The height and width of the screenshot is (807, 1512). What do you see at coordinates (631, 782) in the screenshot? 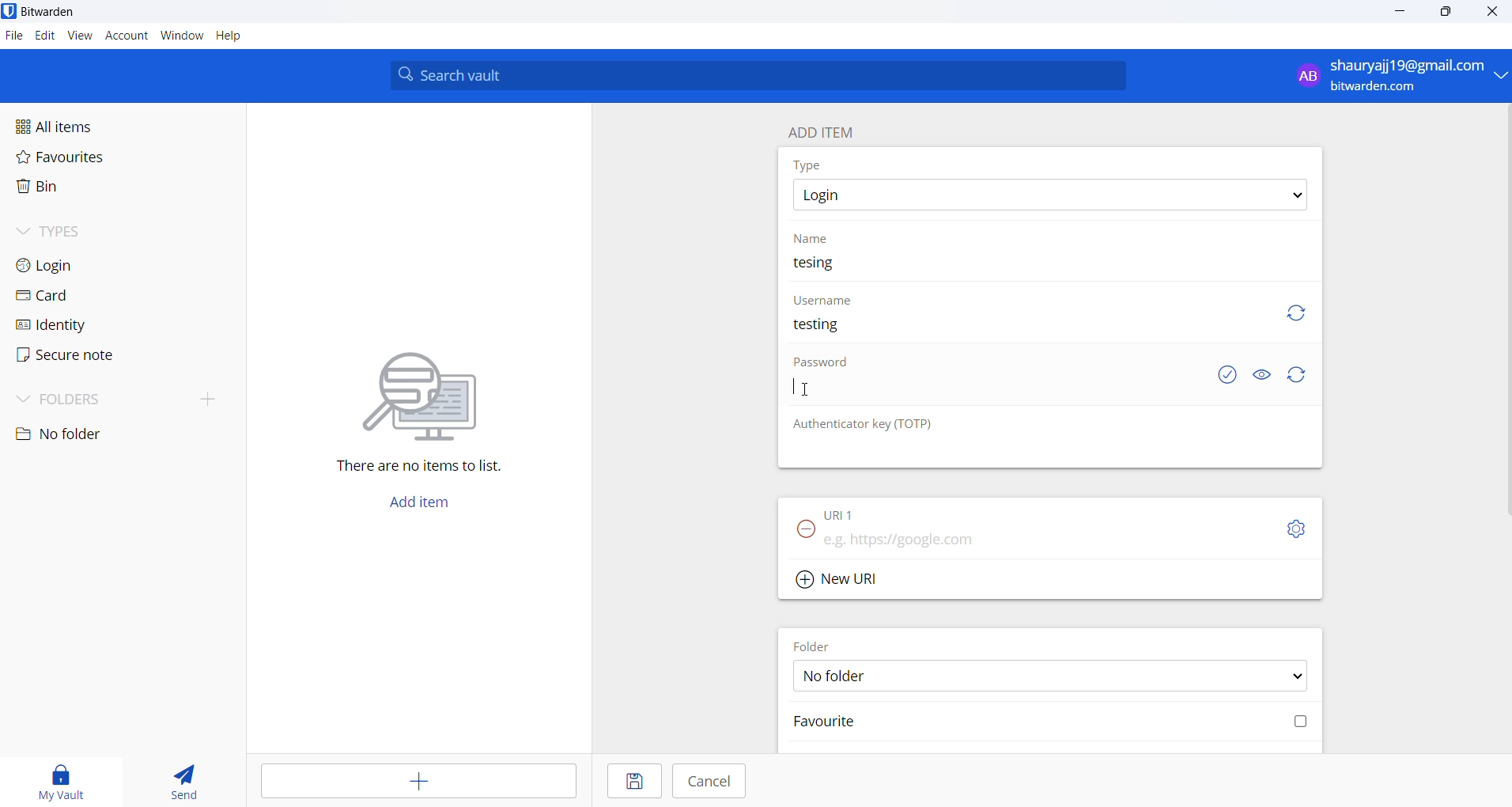
I see `Save` at bounding box center [631, 782].